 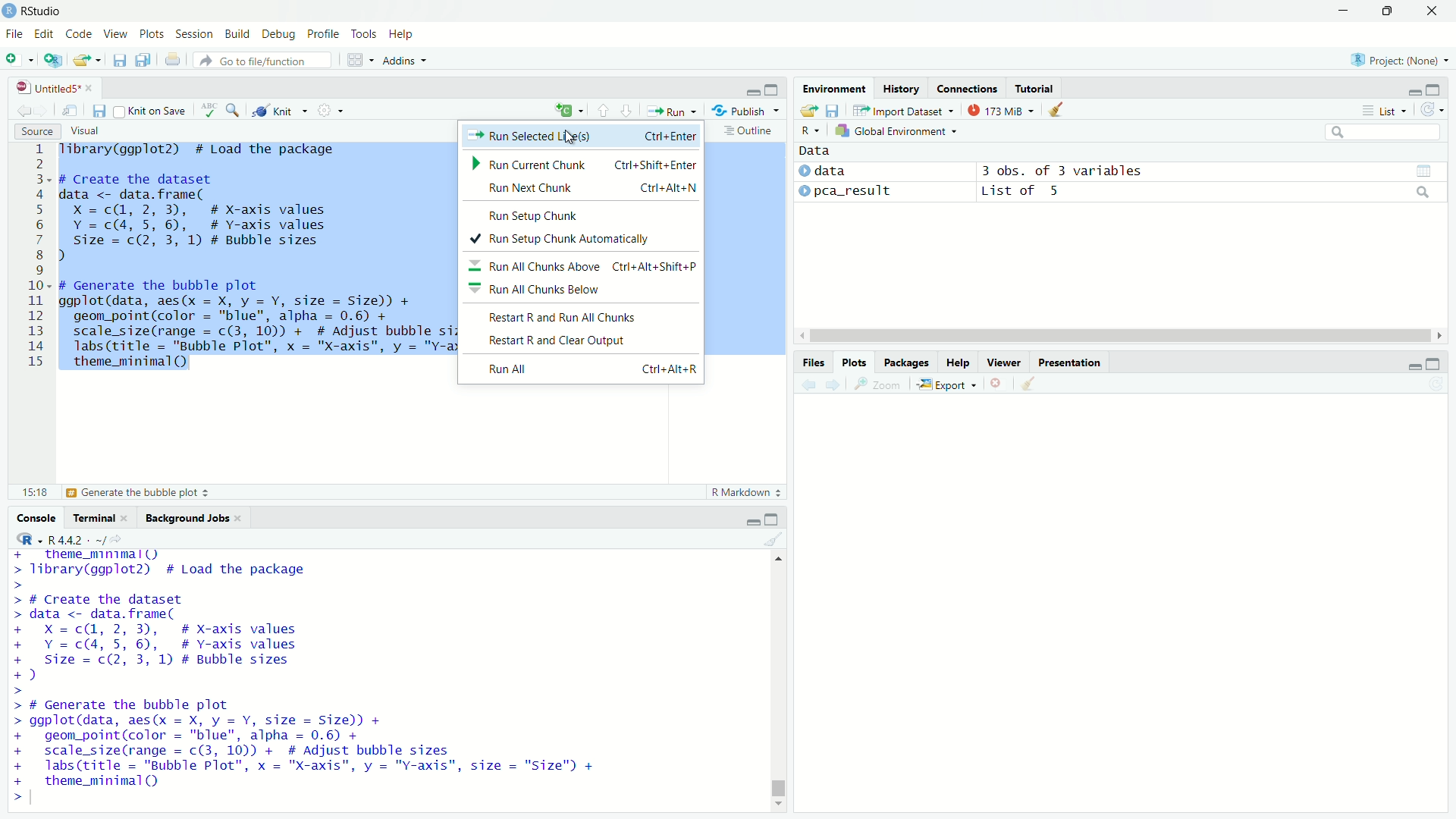 I want to click on next plot, so click(x=835, y=384).